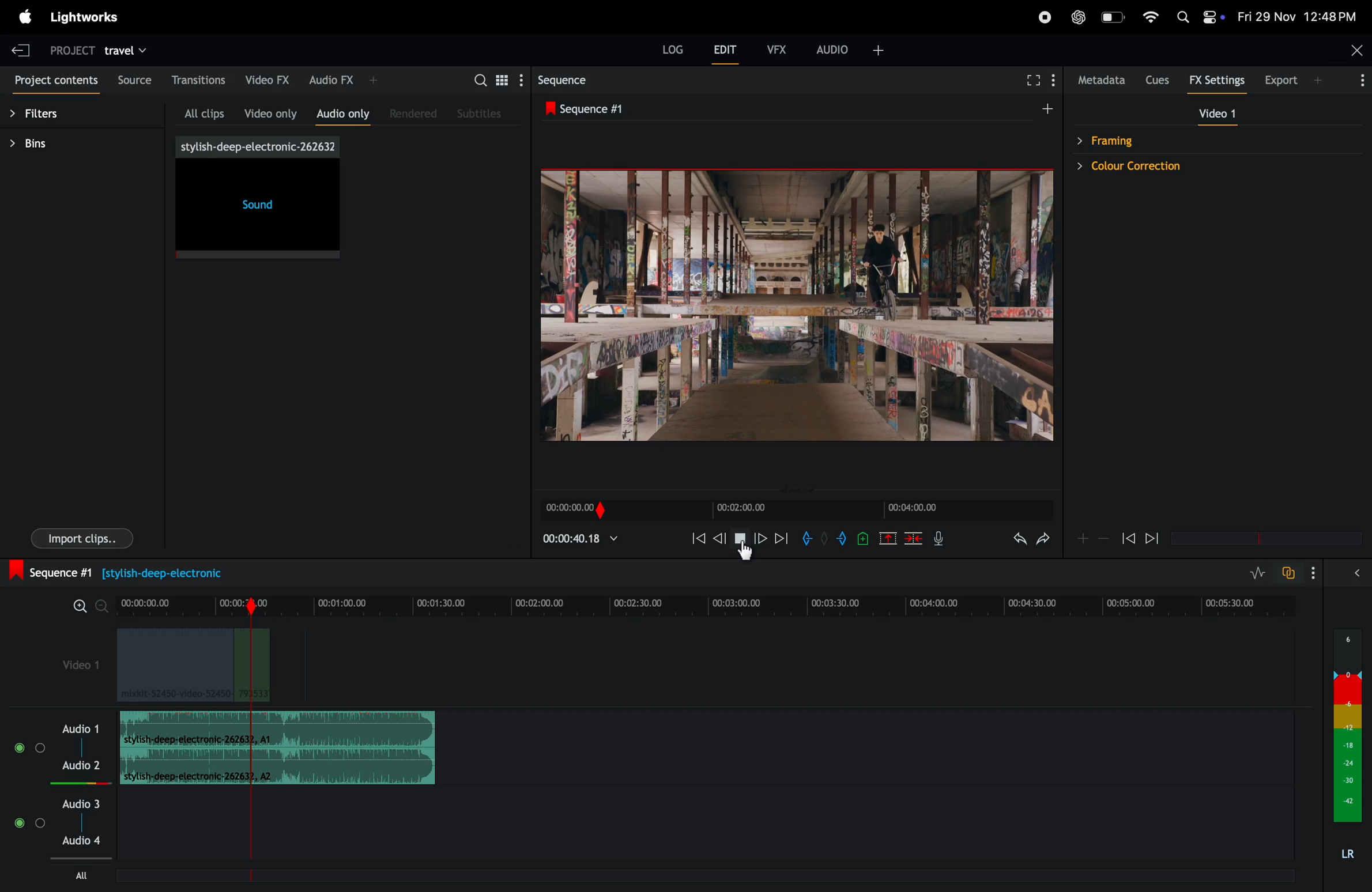  What do you see at coordinates (22, 17) in the screenshot?
I see `apple menu` at bounding box center [22, 17].